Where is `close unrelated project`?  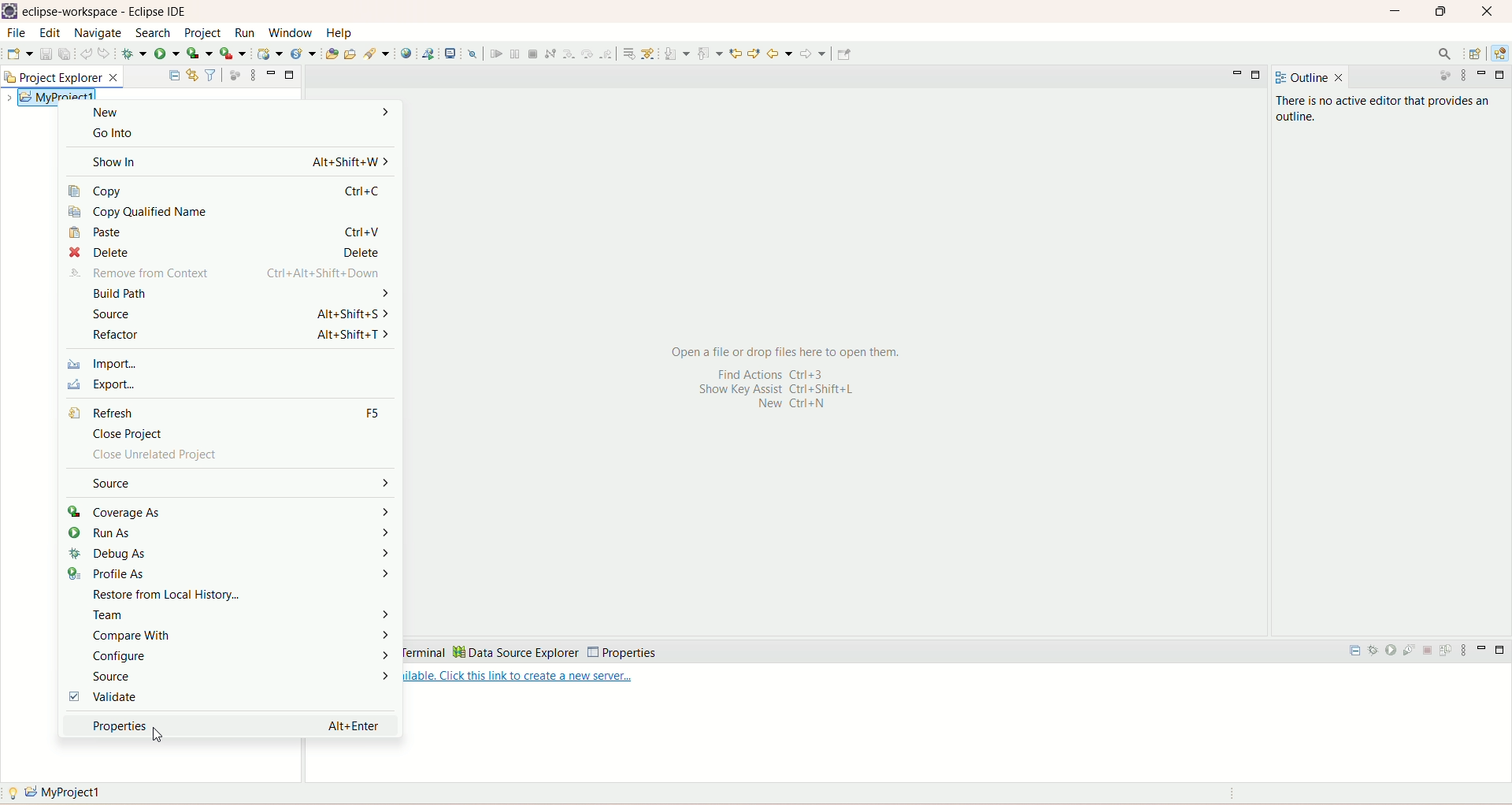
close unrelated project is located at coordinates (231, 459).